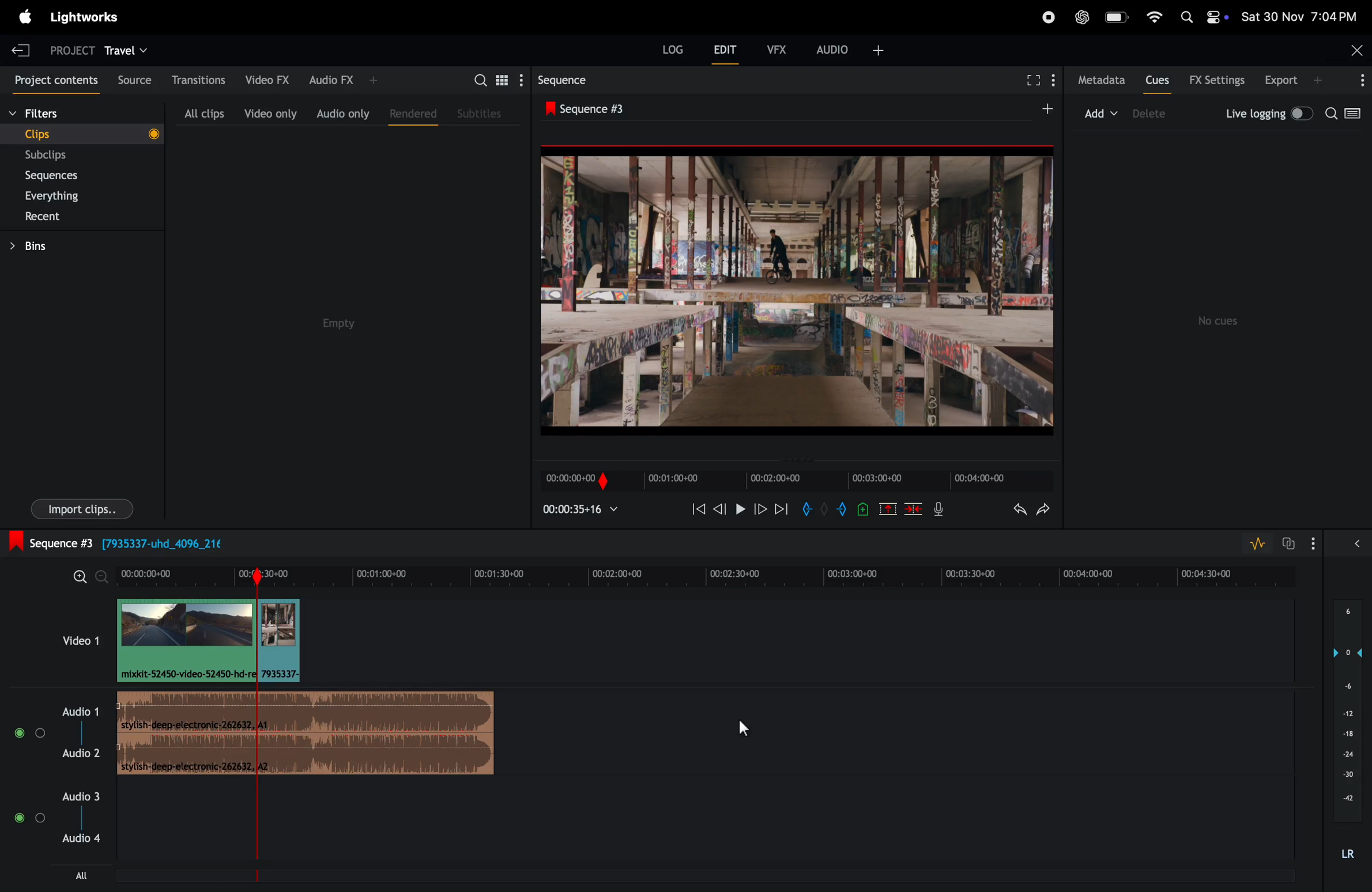 This screenshot has height=892, width=1372. I want to click on exit, so click(21, 48).